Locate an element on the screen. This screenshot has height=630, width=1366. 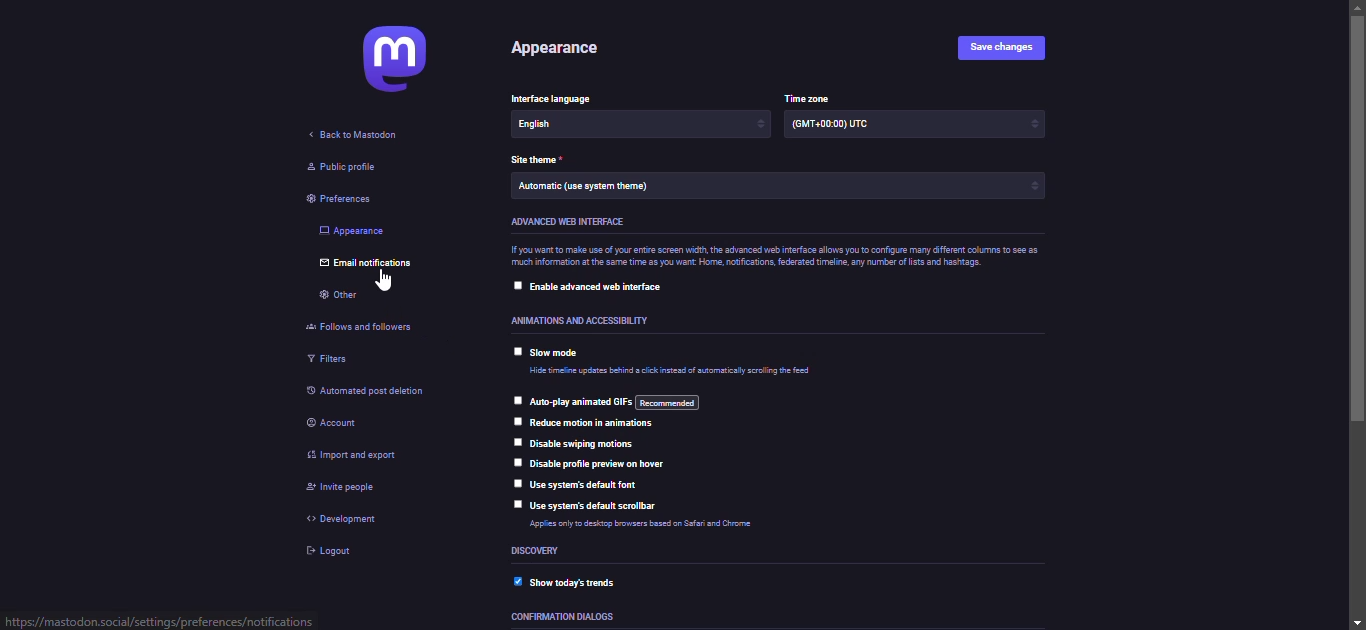
advanced web interface is located at coordinates (570, 223).